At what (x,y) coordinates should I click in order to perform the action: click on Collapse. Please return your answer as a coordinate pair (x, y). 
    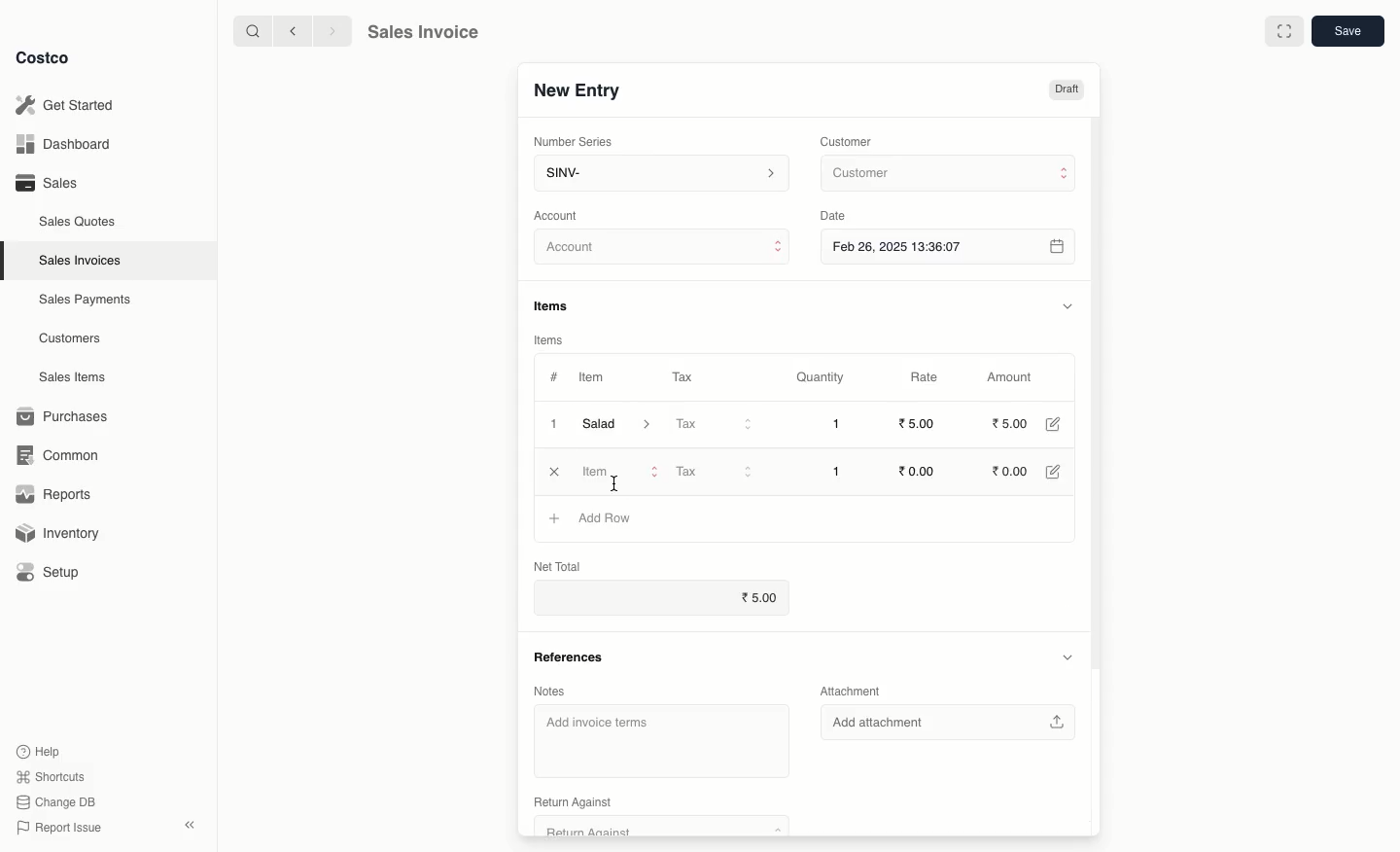
    Looking at the image, I should click on (192, 826).